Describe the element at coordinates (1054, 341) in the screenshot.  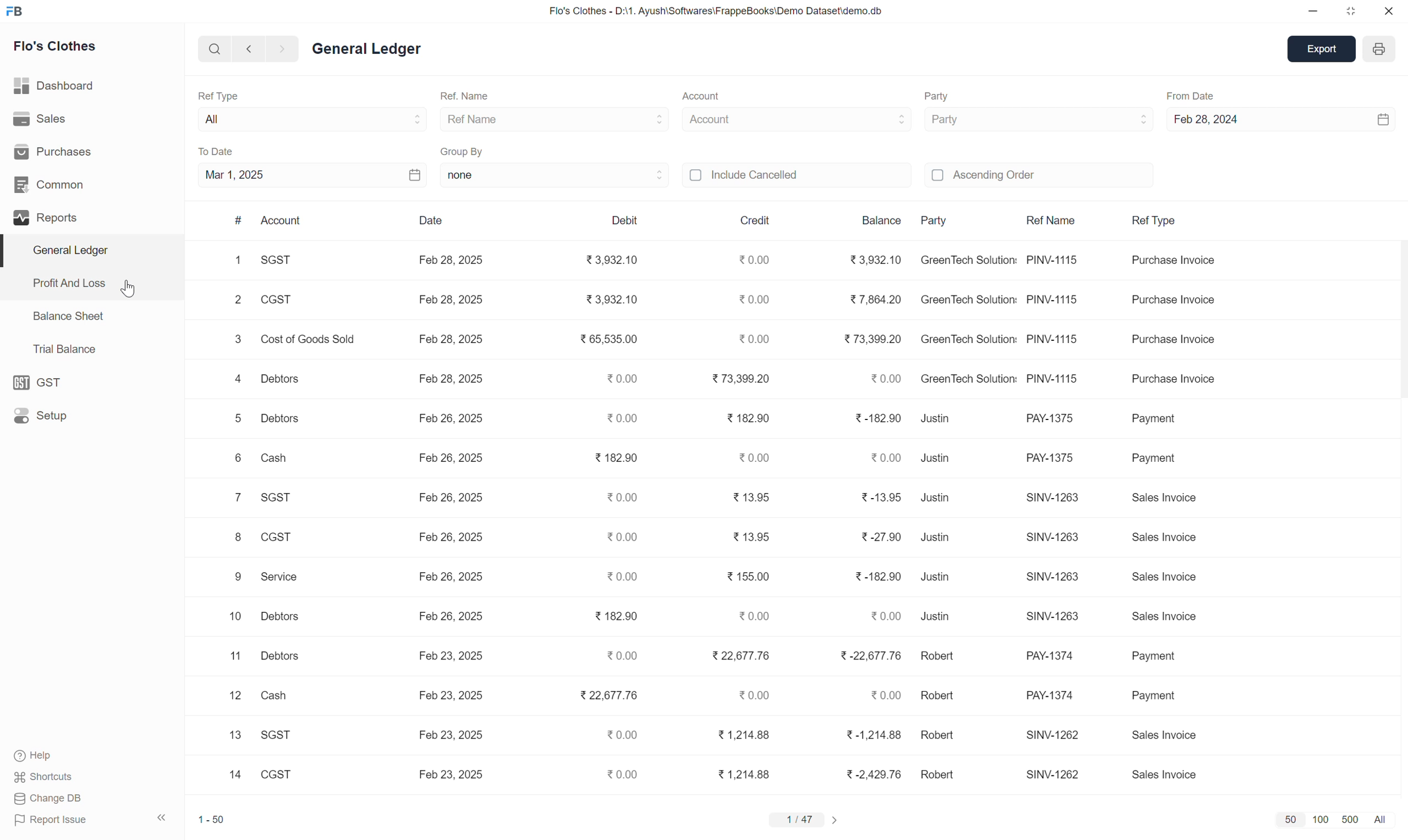
I see `PINV-1115` at that location.